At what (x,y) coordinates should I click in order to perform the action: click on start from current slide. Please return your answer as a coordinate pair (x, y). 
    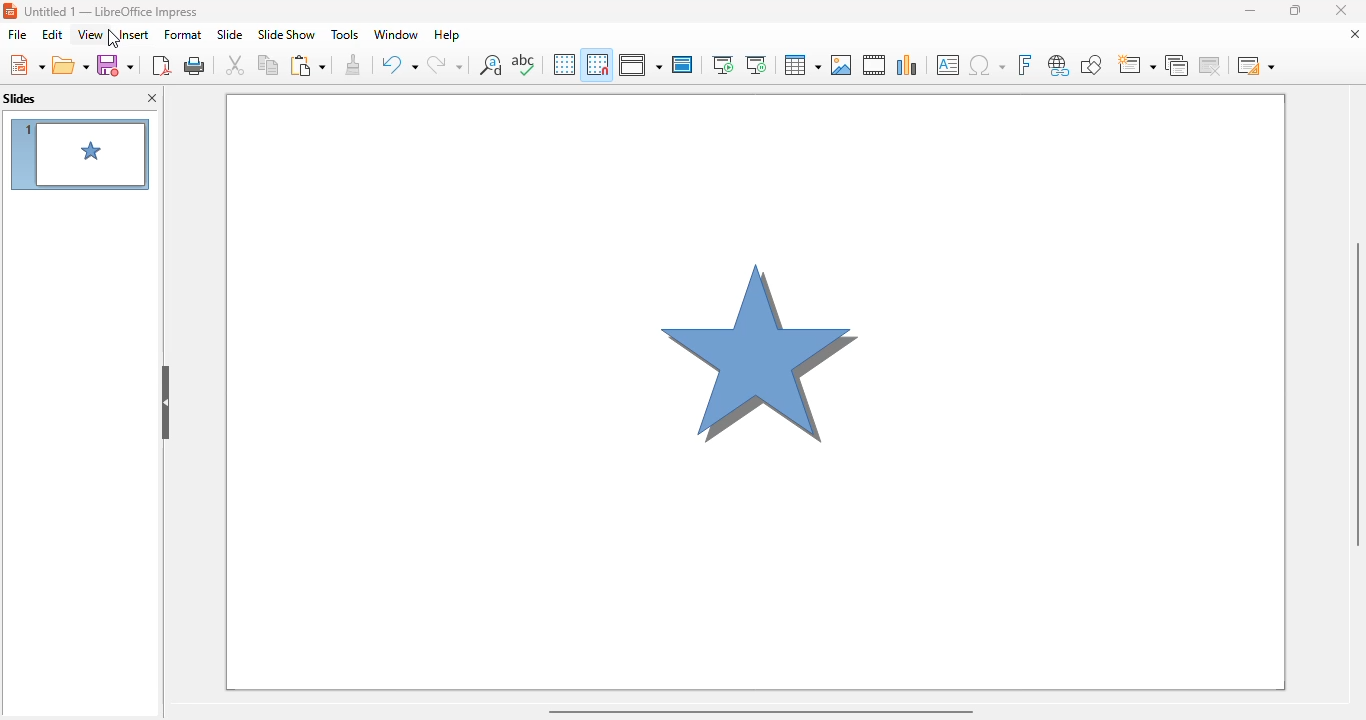
    Looking at the image, I should click on (756, 65).